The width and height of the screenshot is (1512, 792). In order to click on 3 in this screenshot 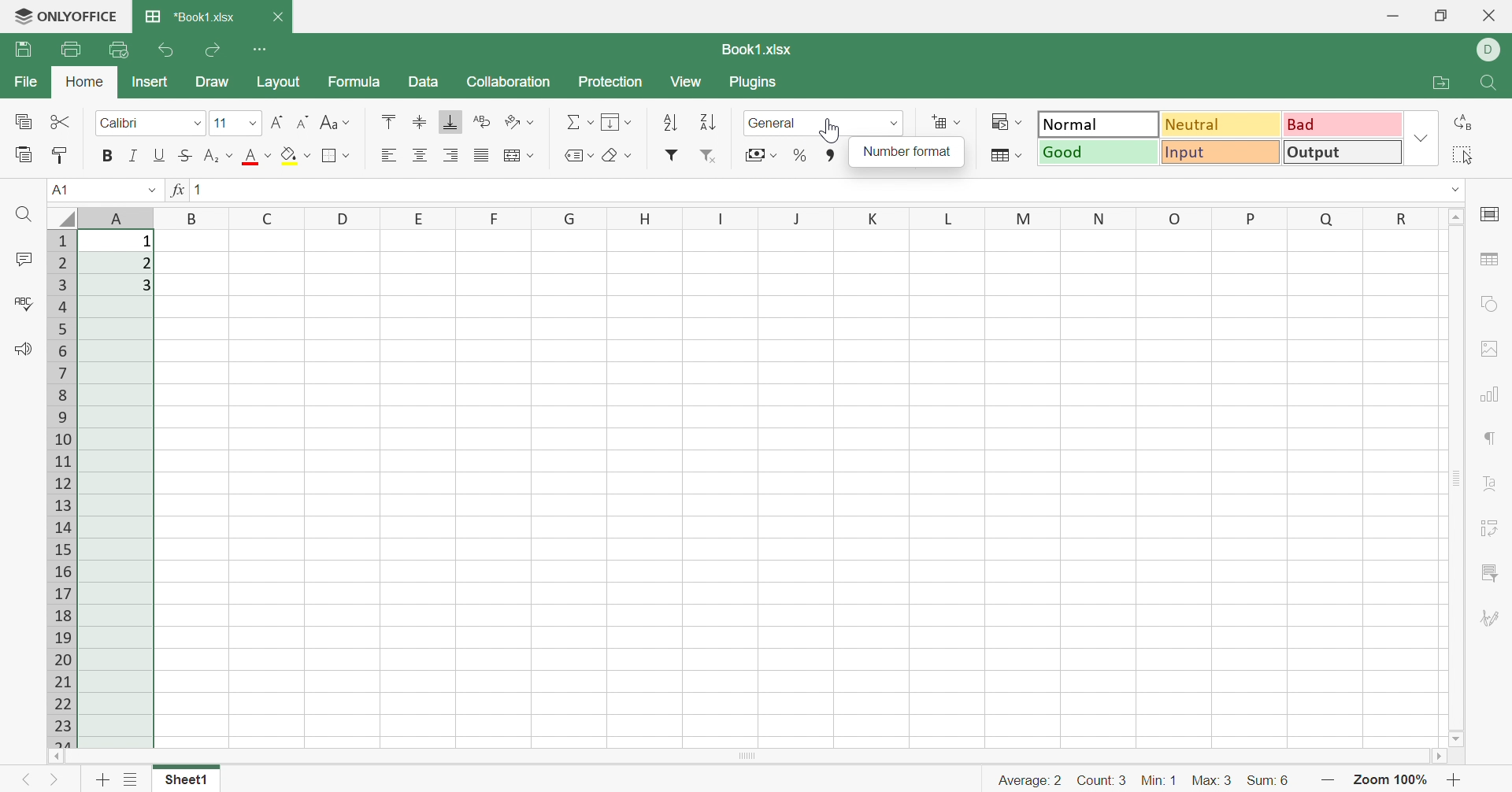, I will do `click(146, 284)`.